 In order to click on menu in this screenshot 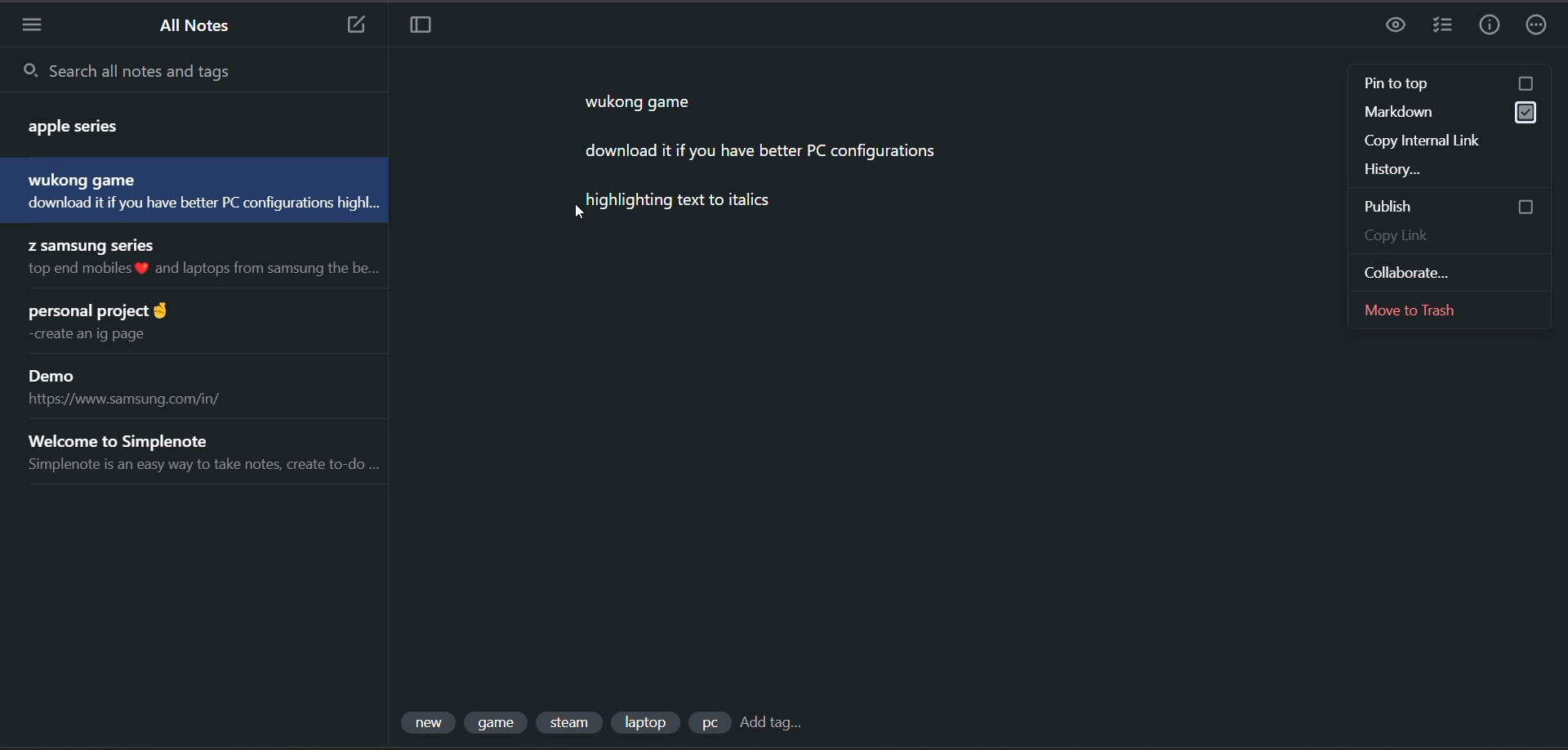, I will do `click(32, 24)`.